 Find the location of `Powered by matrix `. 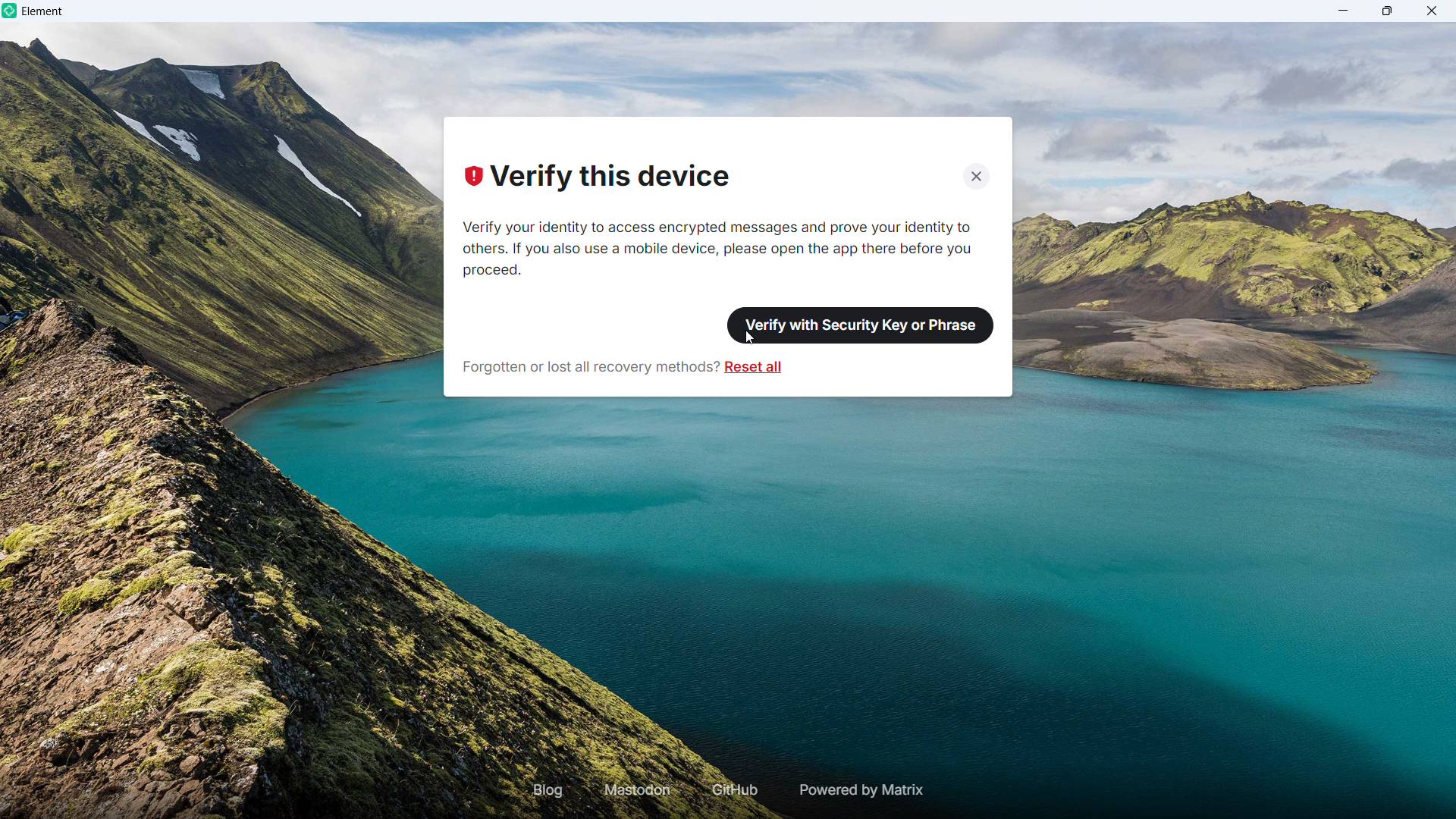

Powered by matrix  is located at coordinates (859, 790).